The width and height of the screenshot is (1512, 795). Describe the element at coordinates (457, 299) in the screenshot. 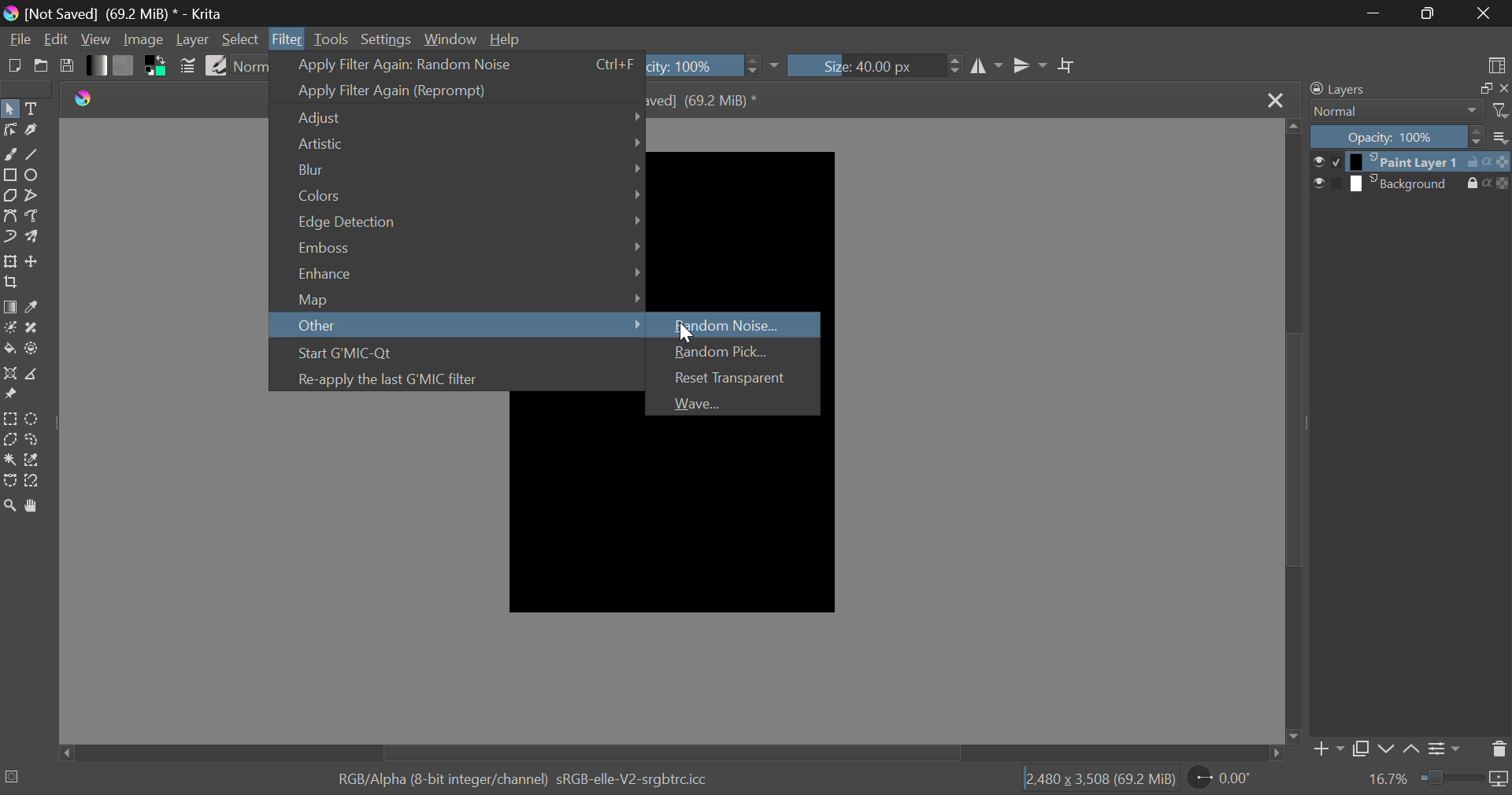

I see `Map` at that location.